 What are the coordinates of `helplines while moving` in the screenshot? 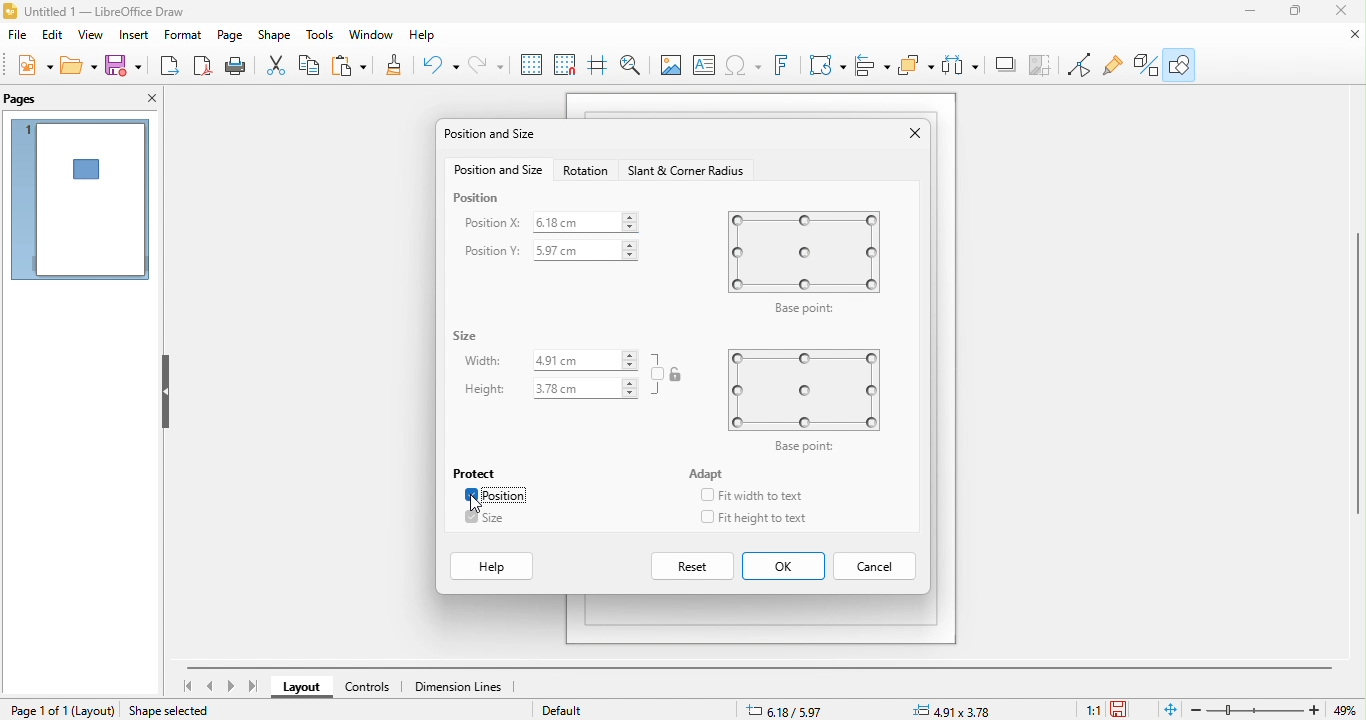 It's located at (603, 66).